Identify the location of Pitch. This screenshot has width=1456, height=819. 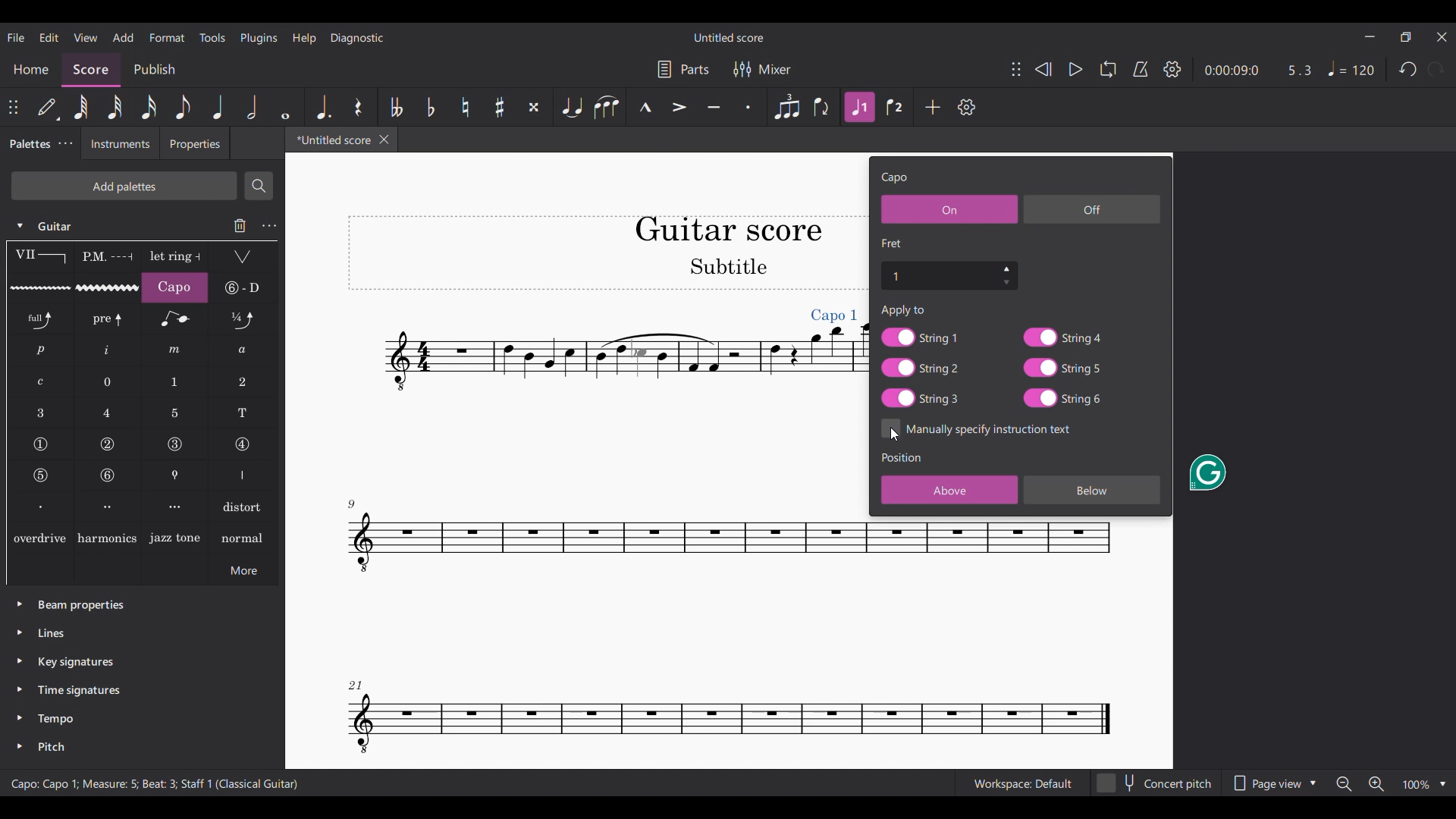
(50, 747).